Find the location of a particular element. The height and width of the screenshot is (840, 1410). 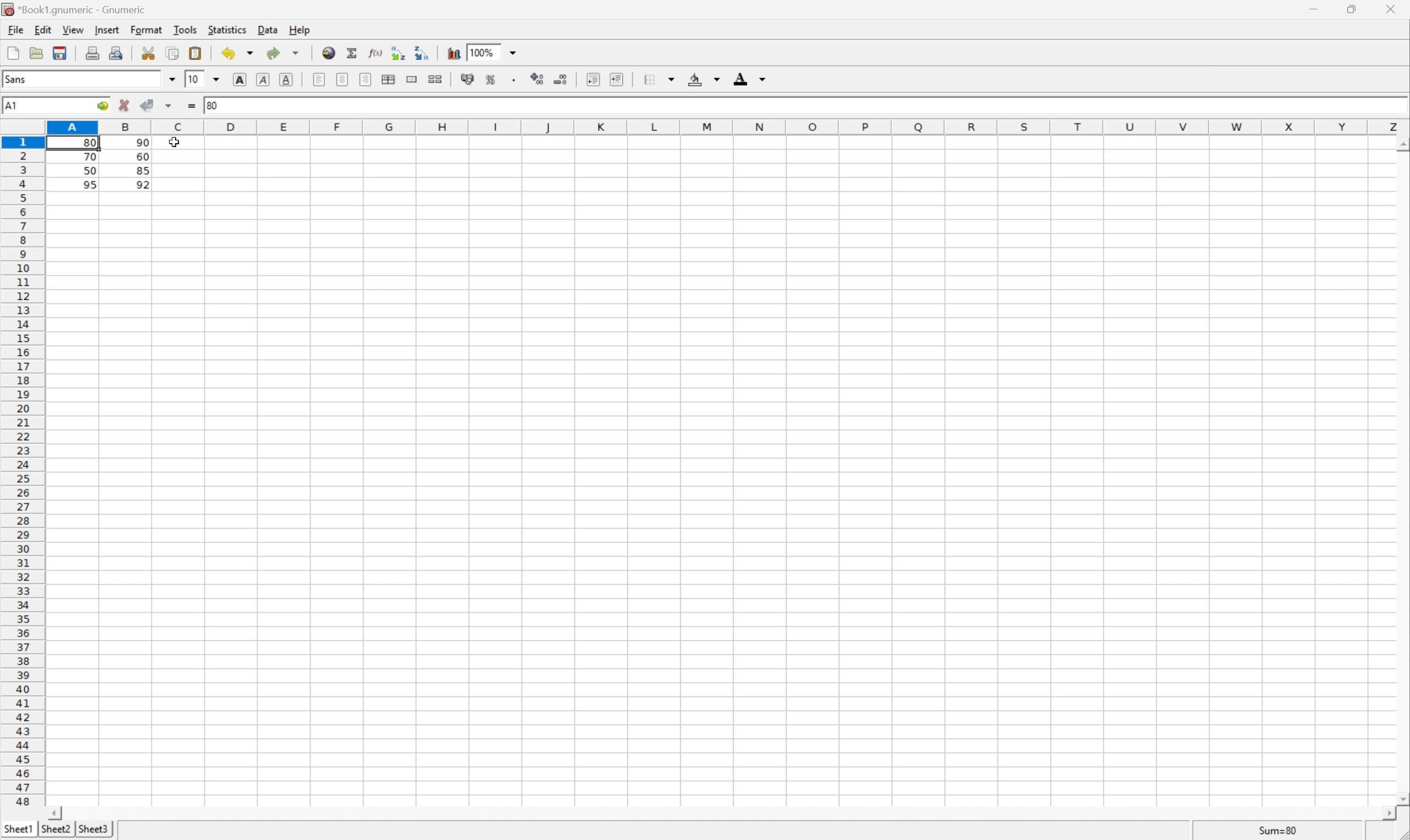

Go to... is located at coordinates (103, 106).